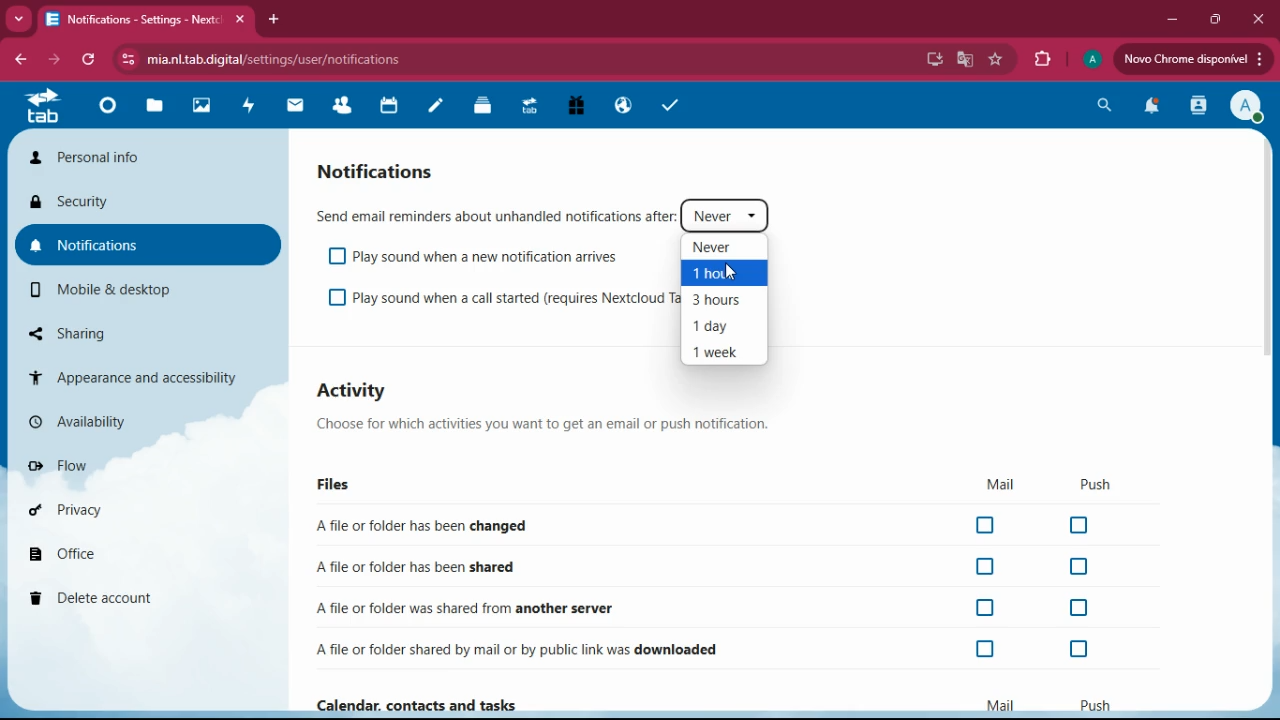  Describe the element at coordinates (1078, 650) in the screenshot. I see `off` at that location.